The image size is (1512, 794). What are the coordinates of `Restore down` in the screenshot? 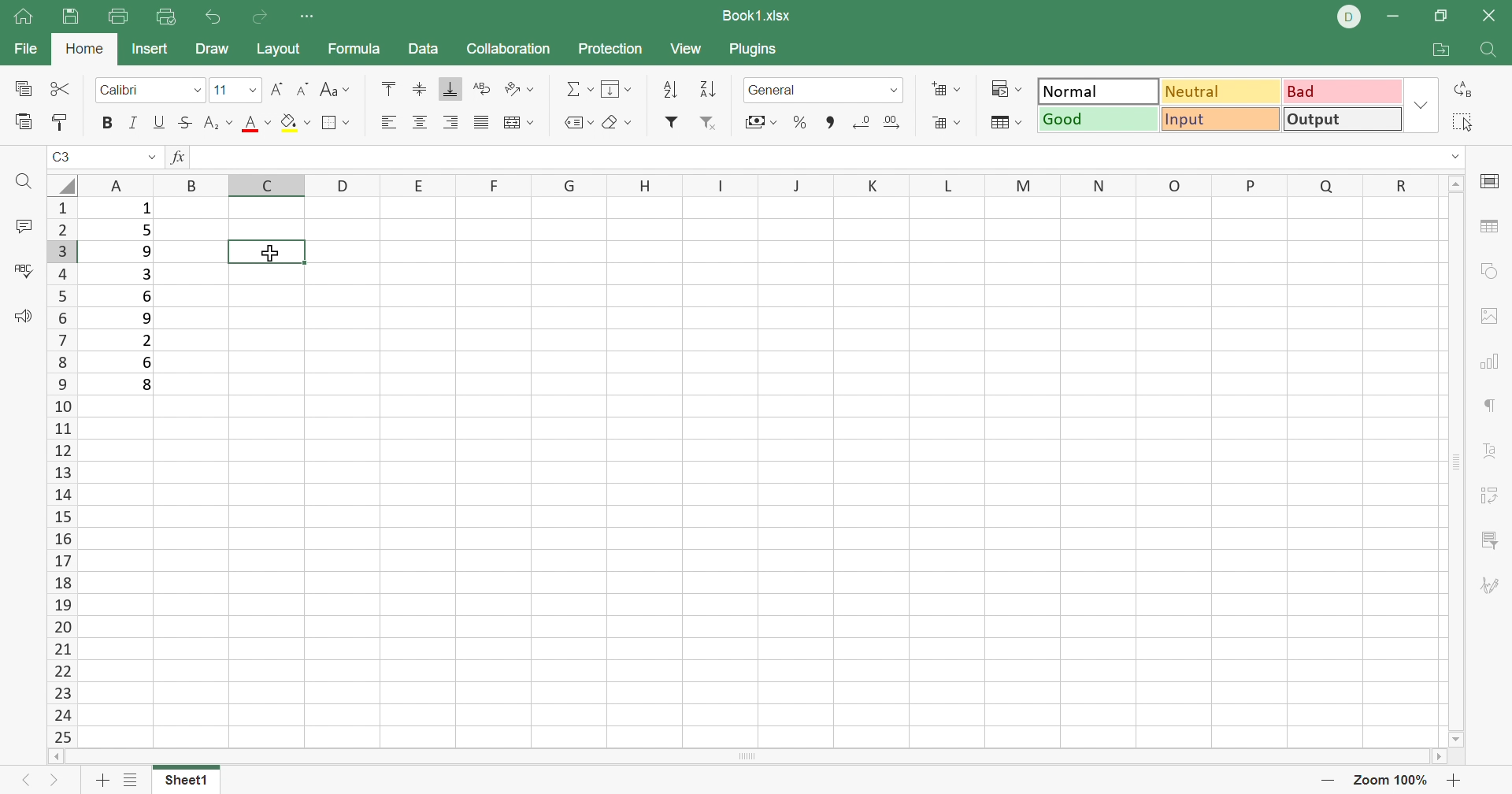 It's located at (1442, 17).